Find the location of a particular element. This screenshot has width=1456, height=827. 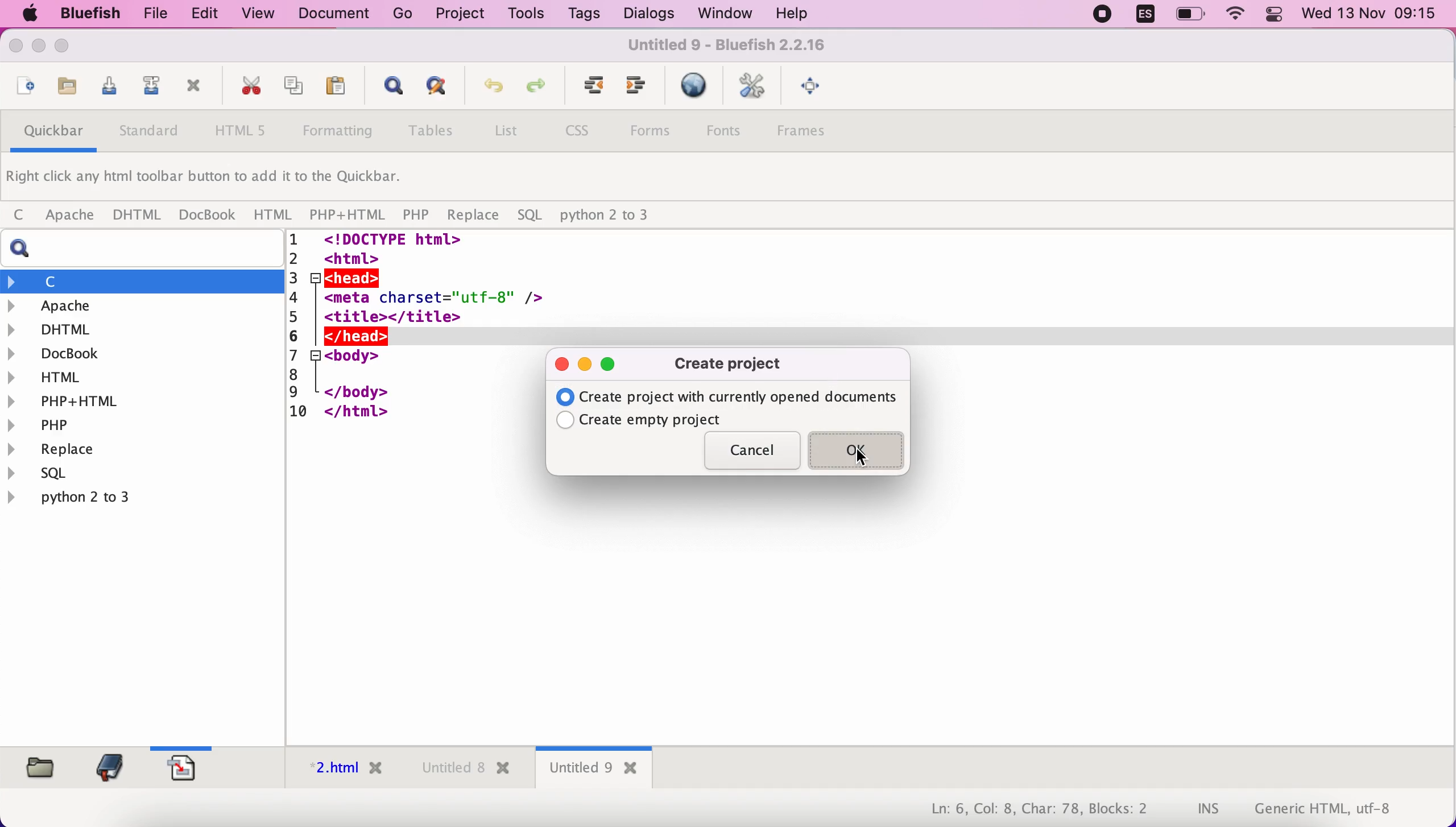

undo is located at coordinates (488, 91).